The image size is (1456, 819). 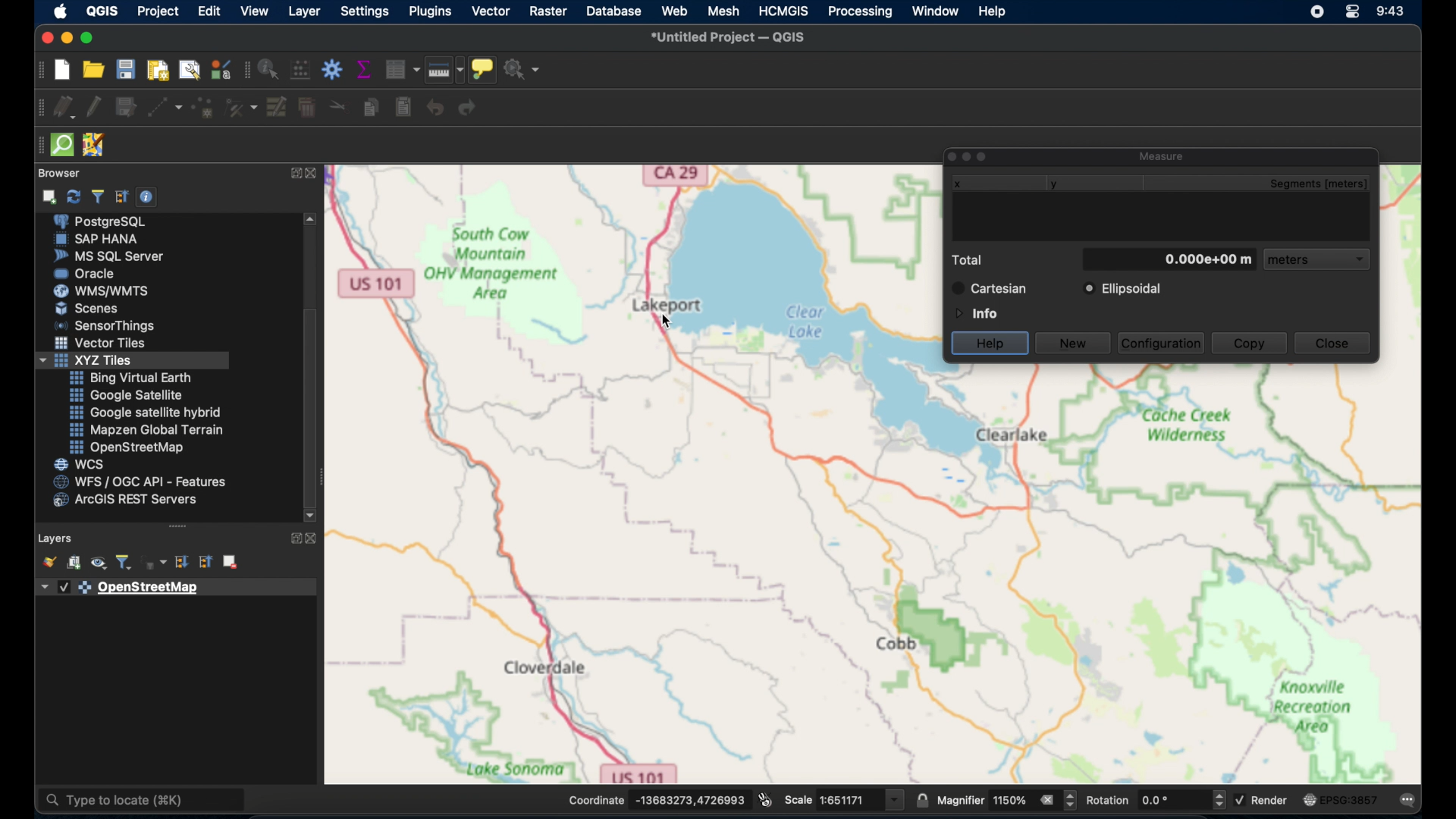 I want to click on create new project, so click(x=61, y=70).